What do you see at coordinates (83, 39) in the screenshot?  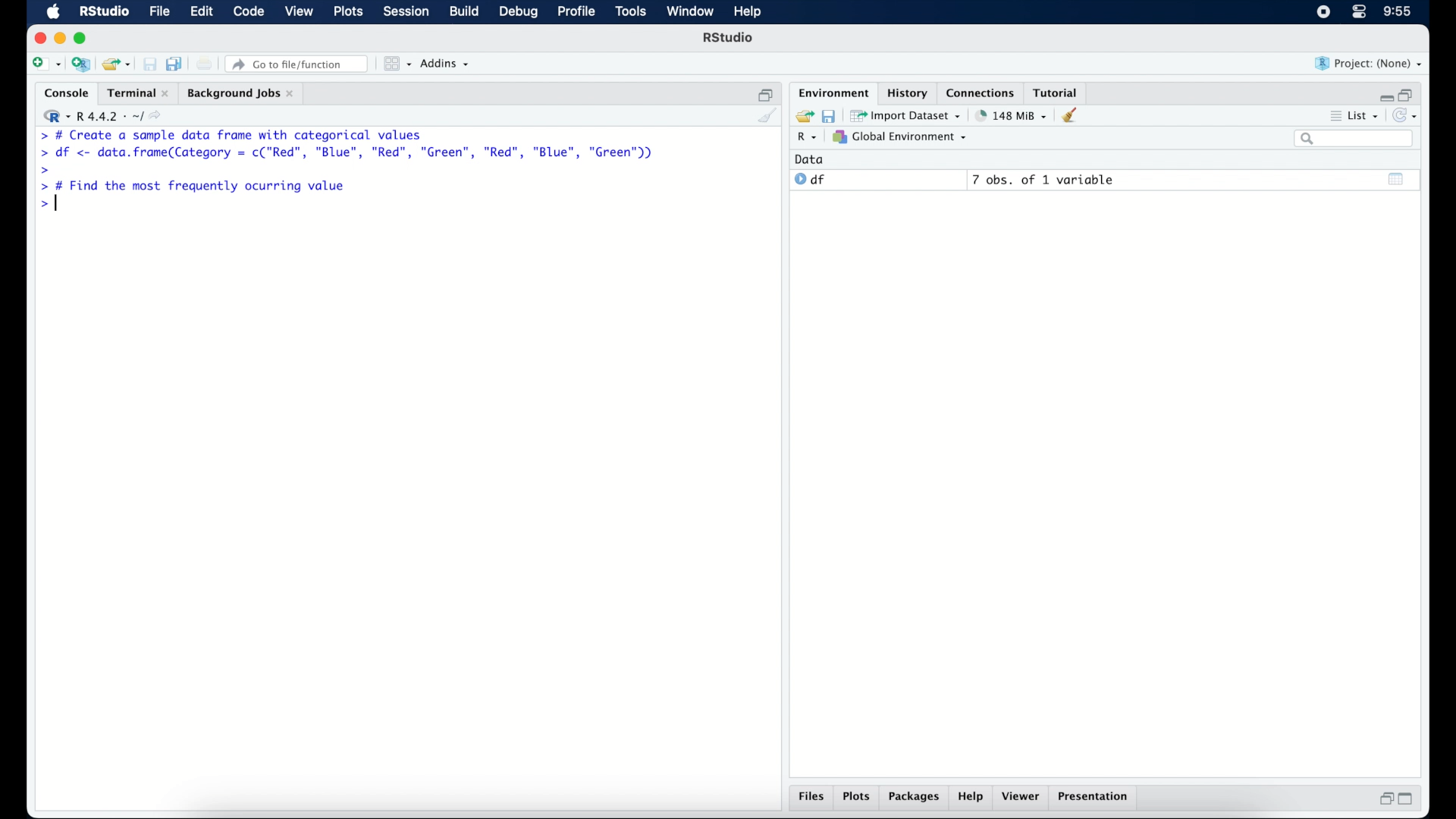 I see `maximize` at bounding box center [83, 39].